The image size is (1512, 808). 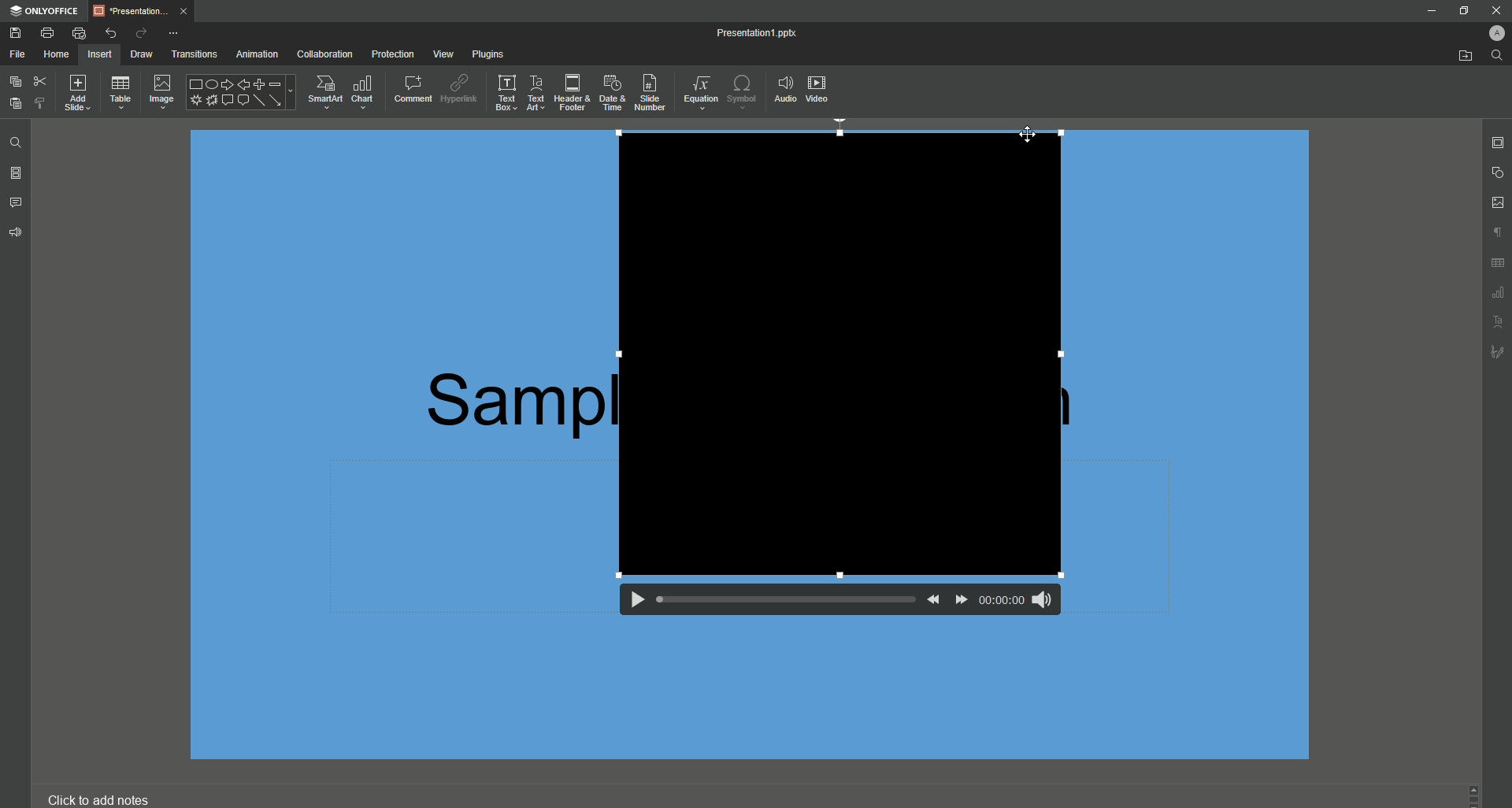 What do you see at coordinates (365, 91) in the screenshot?
I see `Chart` at bounding box center [365, 91].